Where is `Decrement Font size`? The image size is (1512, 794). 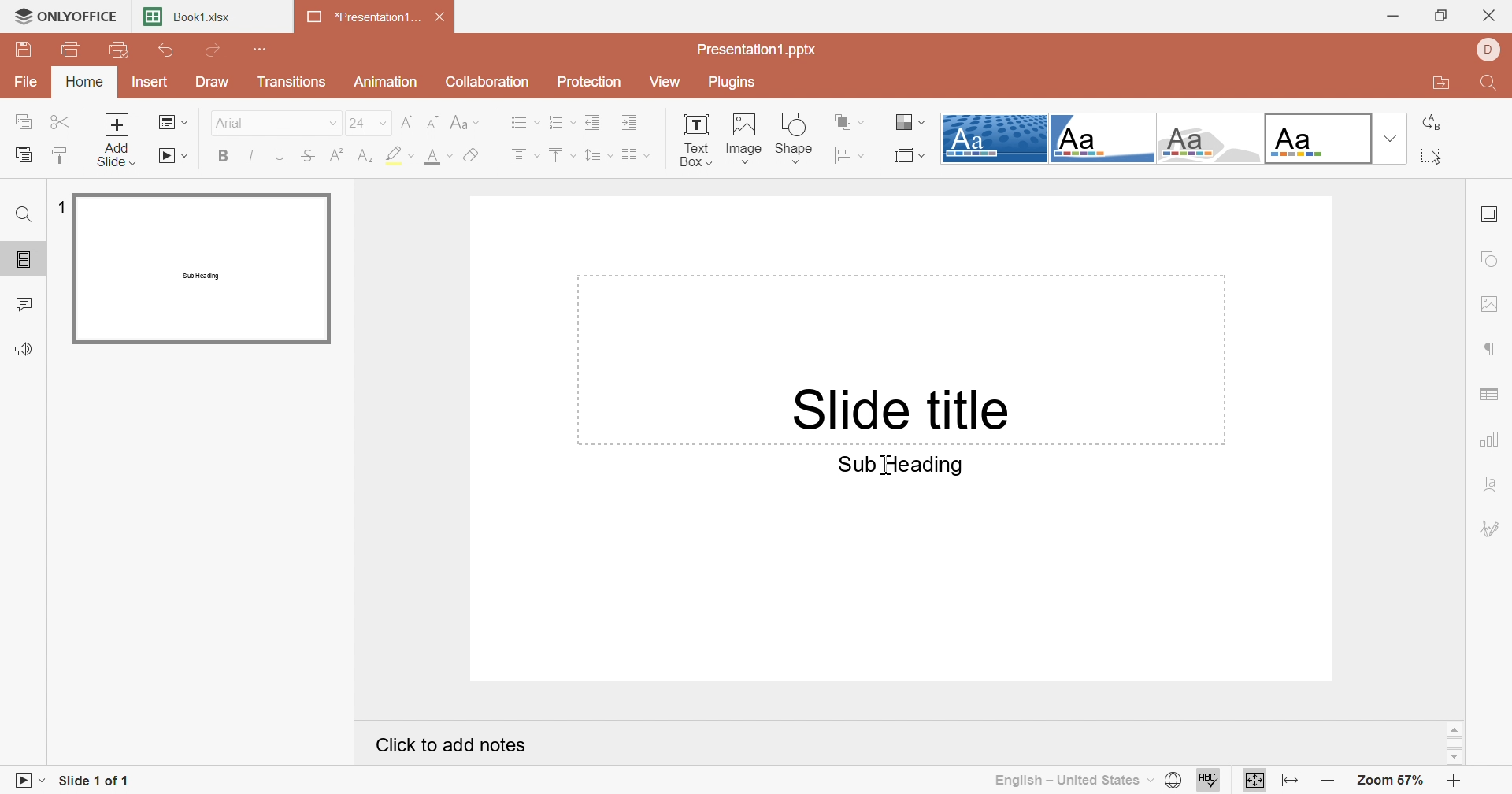 Decrement Font size is located at coordinates (406, 121).